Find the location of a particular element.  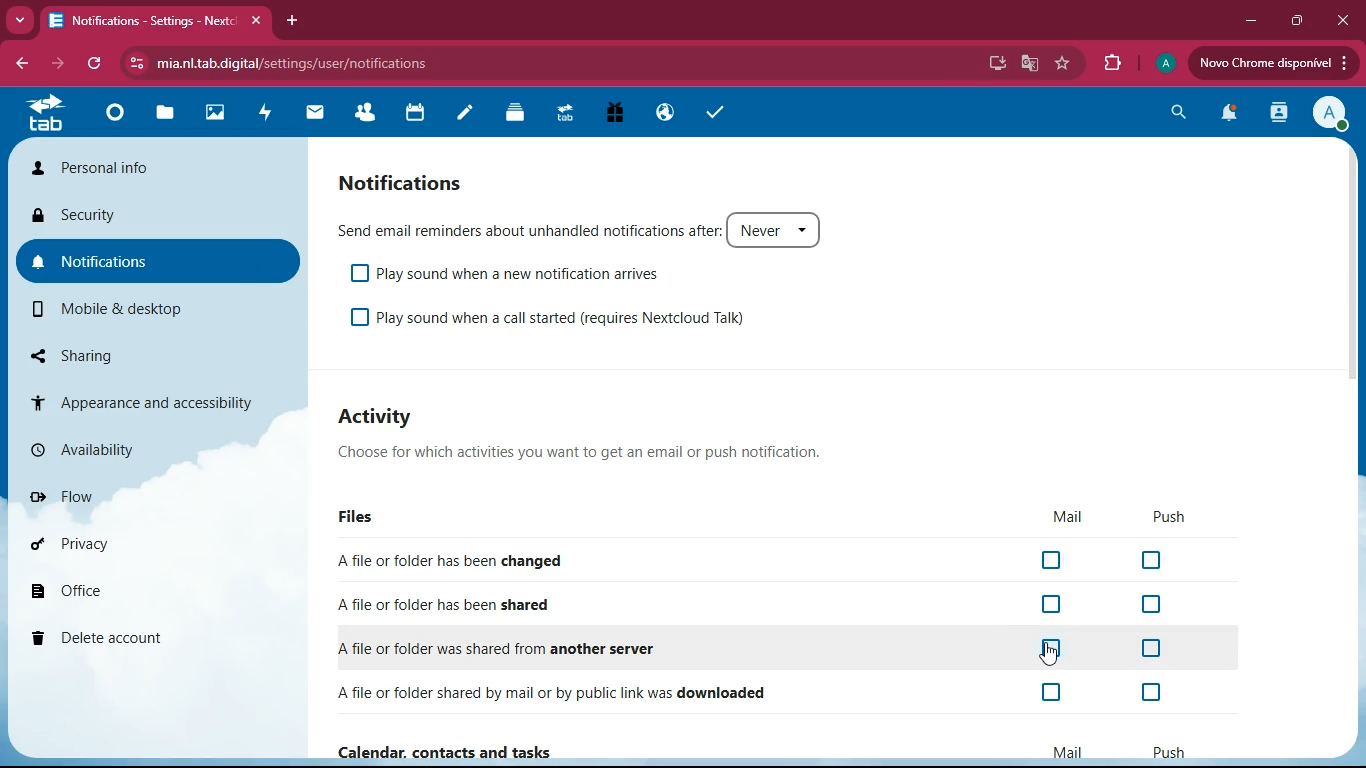

public is located at coordinates (663, 116).